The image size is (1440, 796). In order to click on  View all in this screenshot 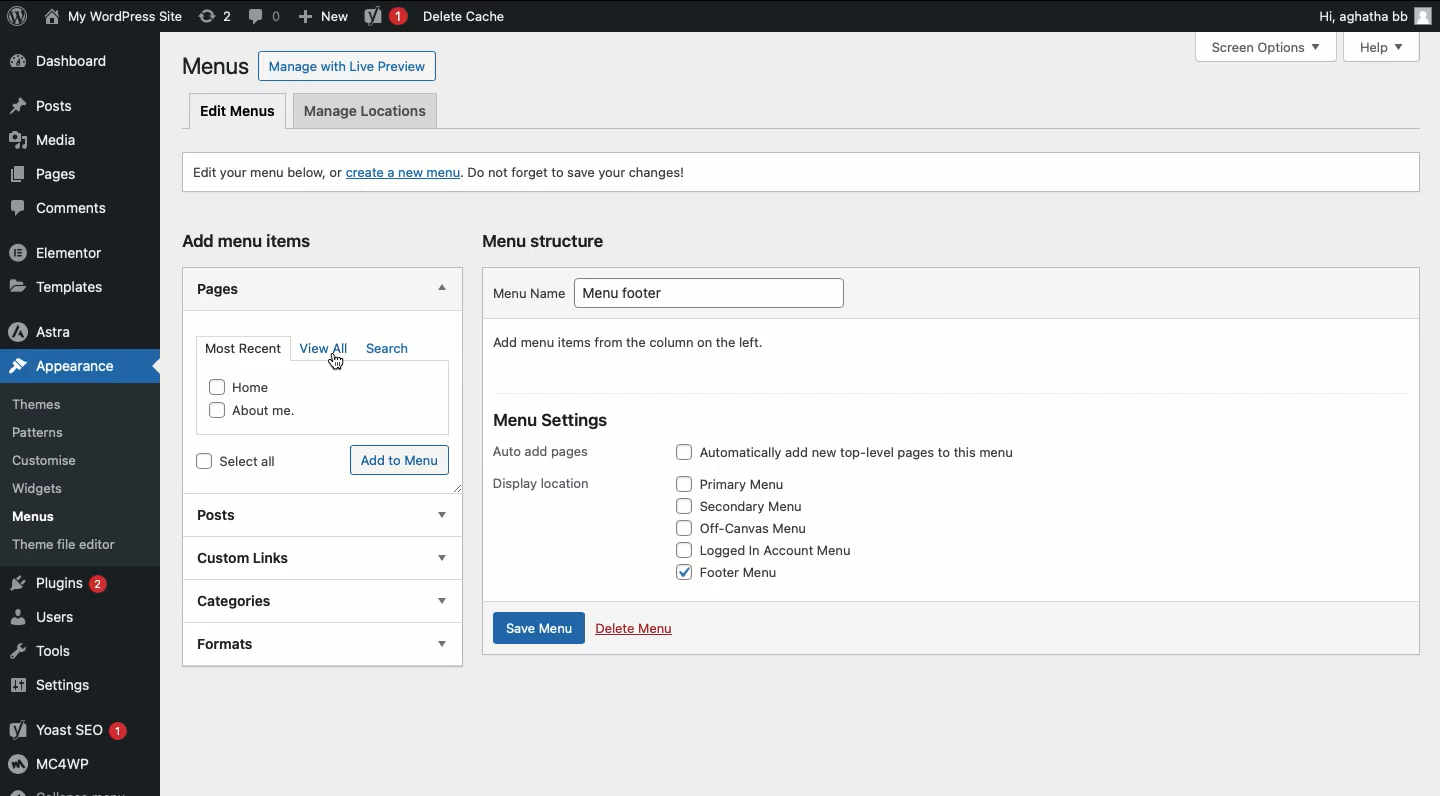, I will do `click(327, 350)`.